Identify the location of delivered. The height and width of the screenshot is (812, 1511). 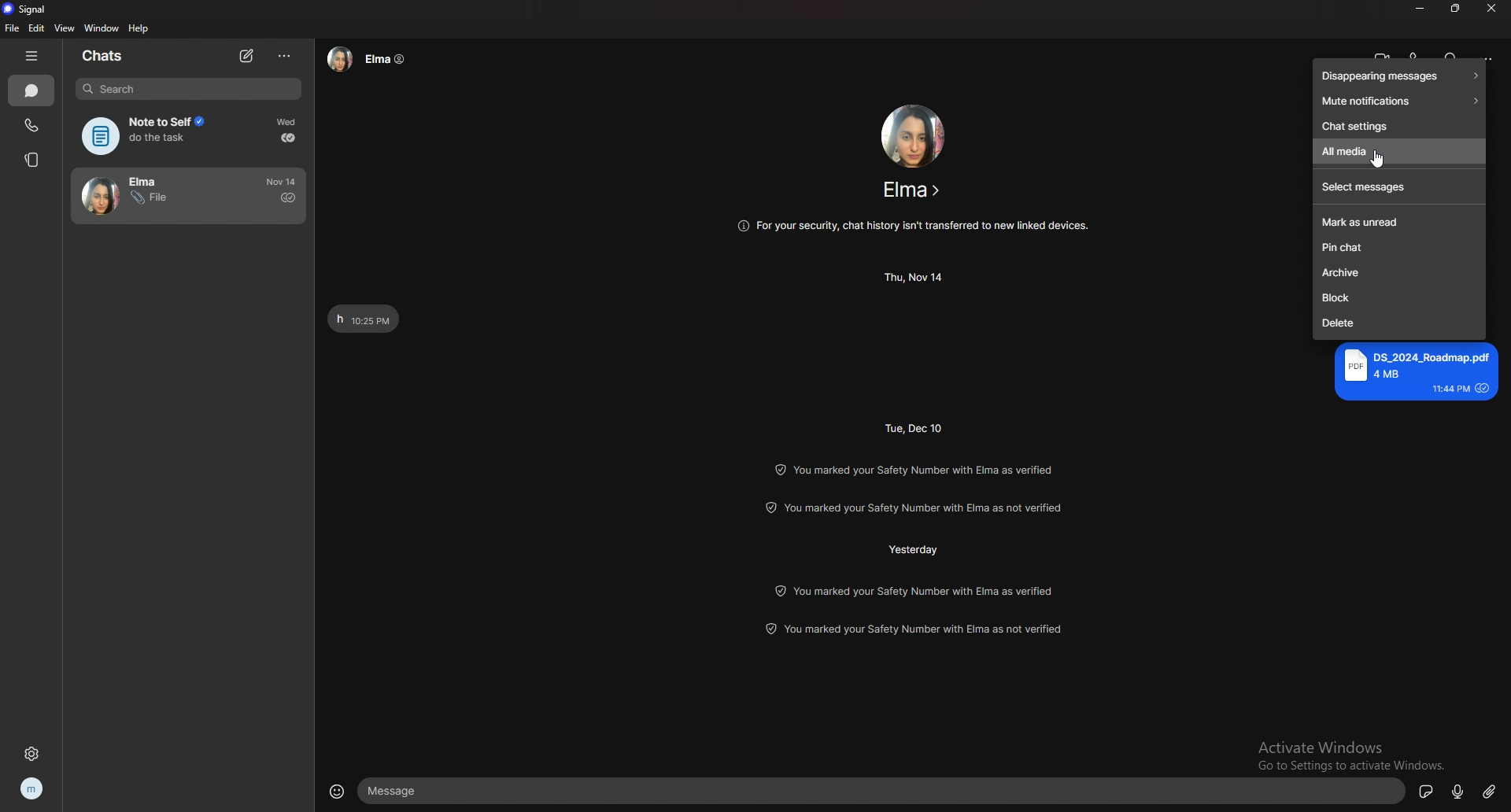
(288, 138).